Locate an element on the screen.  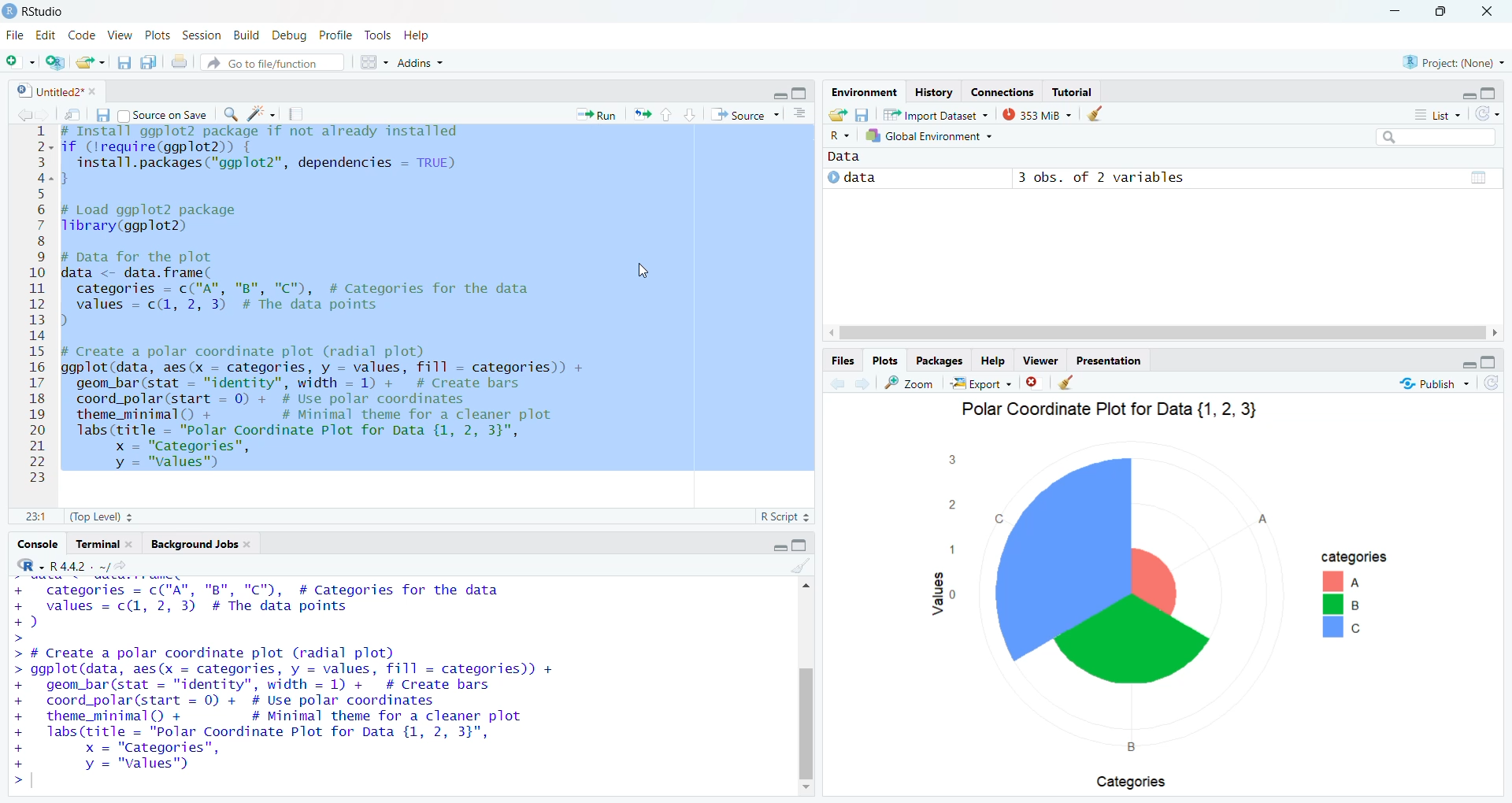
 Profile is located at coordinates (335, 35).